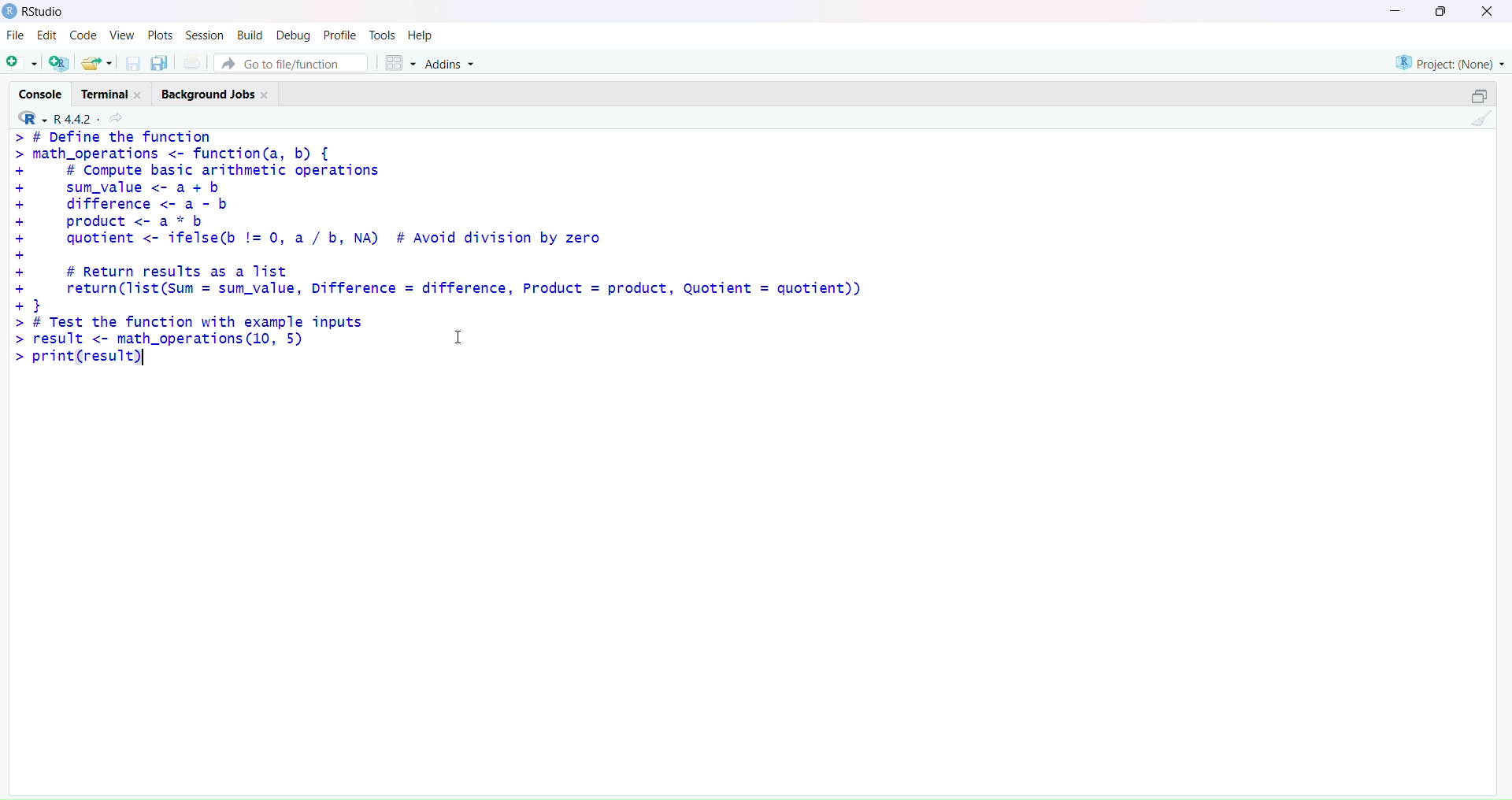 The height and width of the screenshot is (800, 1512). I want to click on Workspace panes, so click(398, 62).